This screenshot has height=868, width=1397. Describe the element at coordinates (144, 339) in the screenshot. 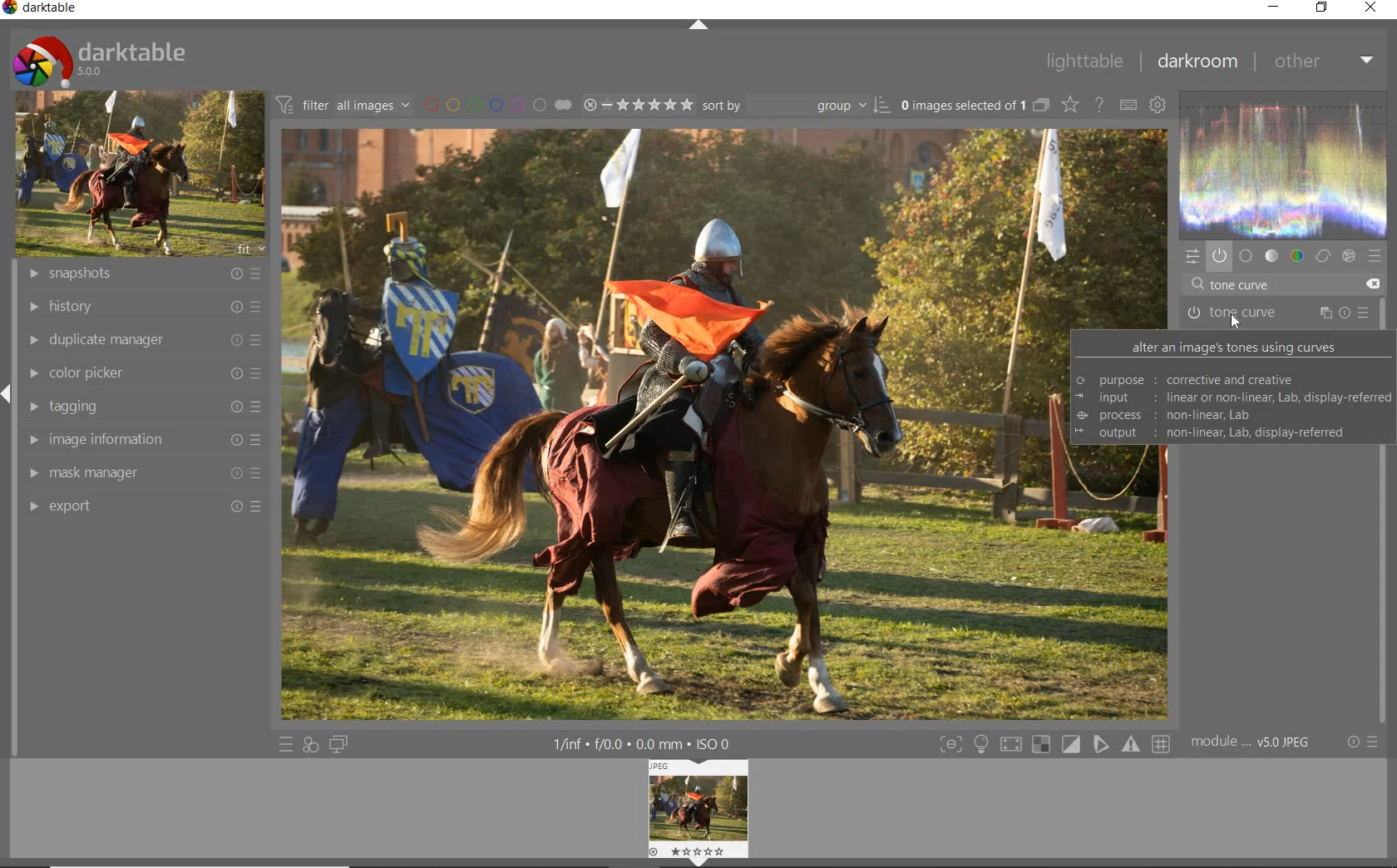

I see `duplicate manager` at that location.